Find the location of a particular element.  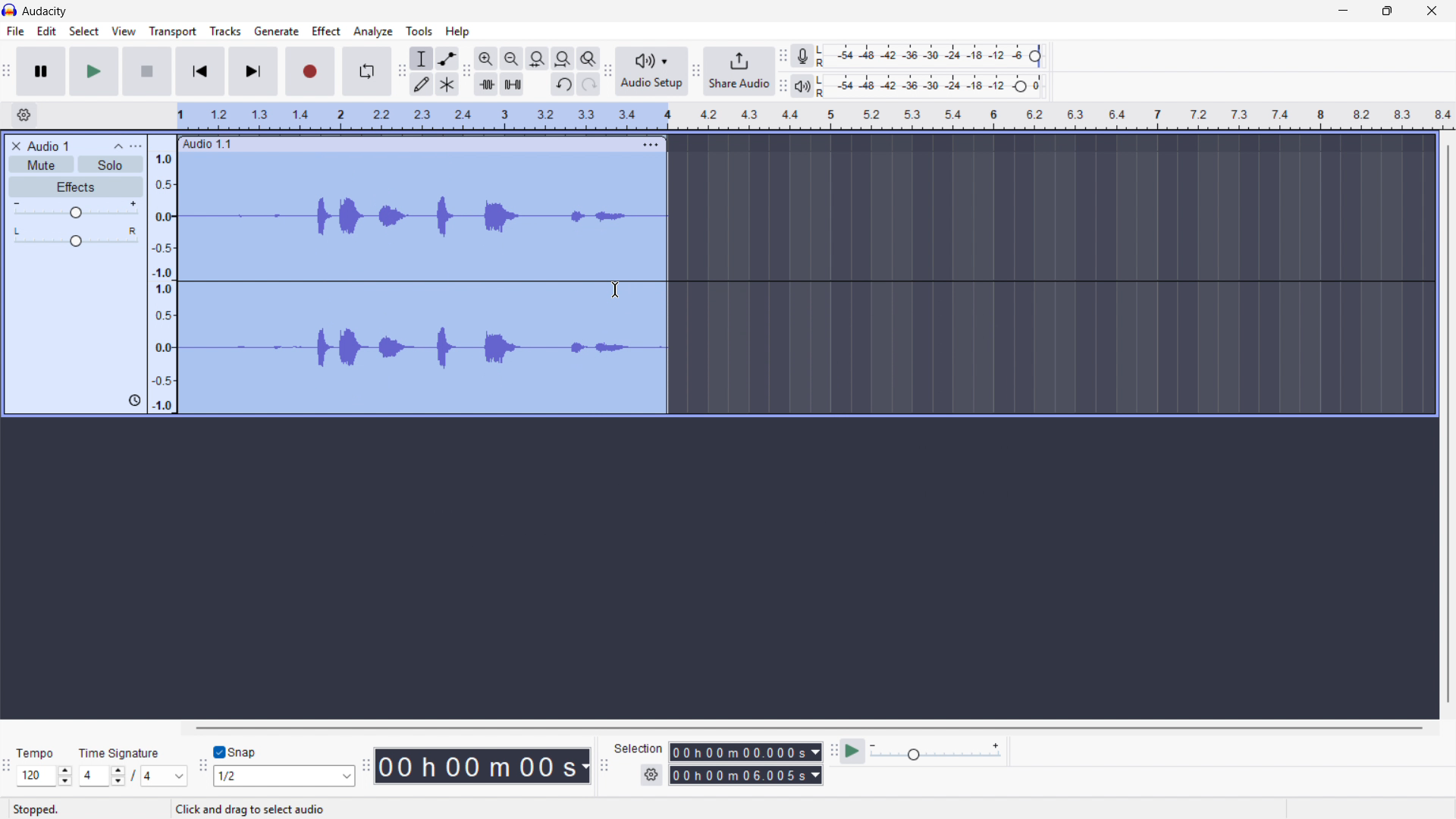

Set snapping is located at coordinates (284, 776).